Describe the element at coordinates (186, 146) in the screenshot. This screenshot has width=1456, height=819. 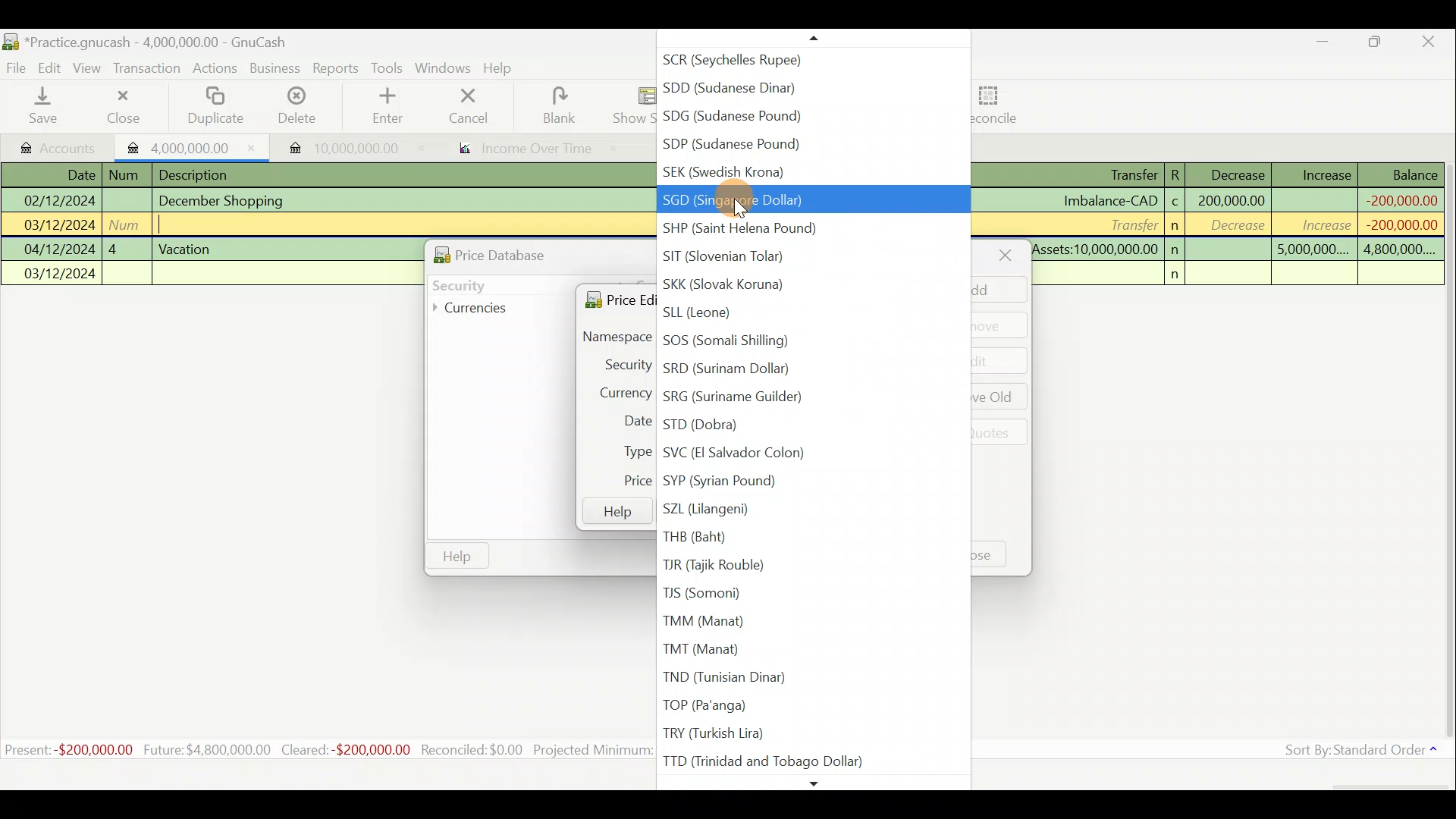
I see `Imported transaction` at that location.